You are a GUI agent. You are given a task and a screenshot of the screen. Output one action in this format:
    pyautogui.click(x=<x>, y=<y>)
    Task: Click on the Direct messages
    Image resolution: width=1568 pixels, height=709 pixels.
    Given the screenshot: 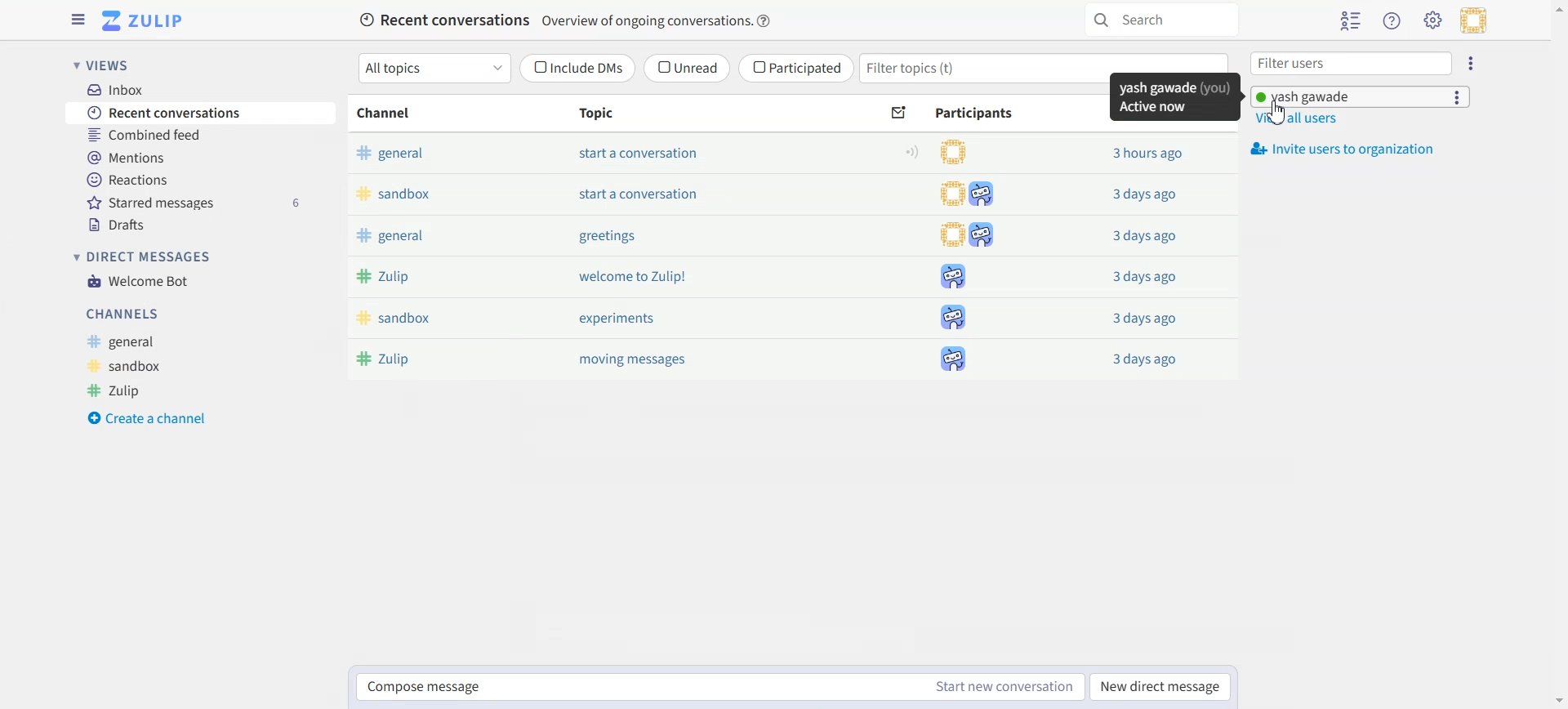 What is the action you would take?
    pyautogui.click(x=146, y=256)
    